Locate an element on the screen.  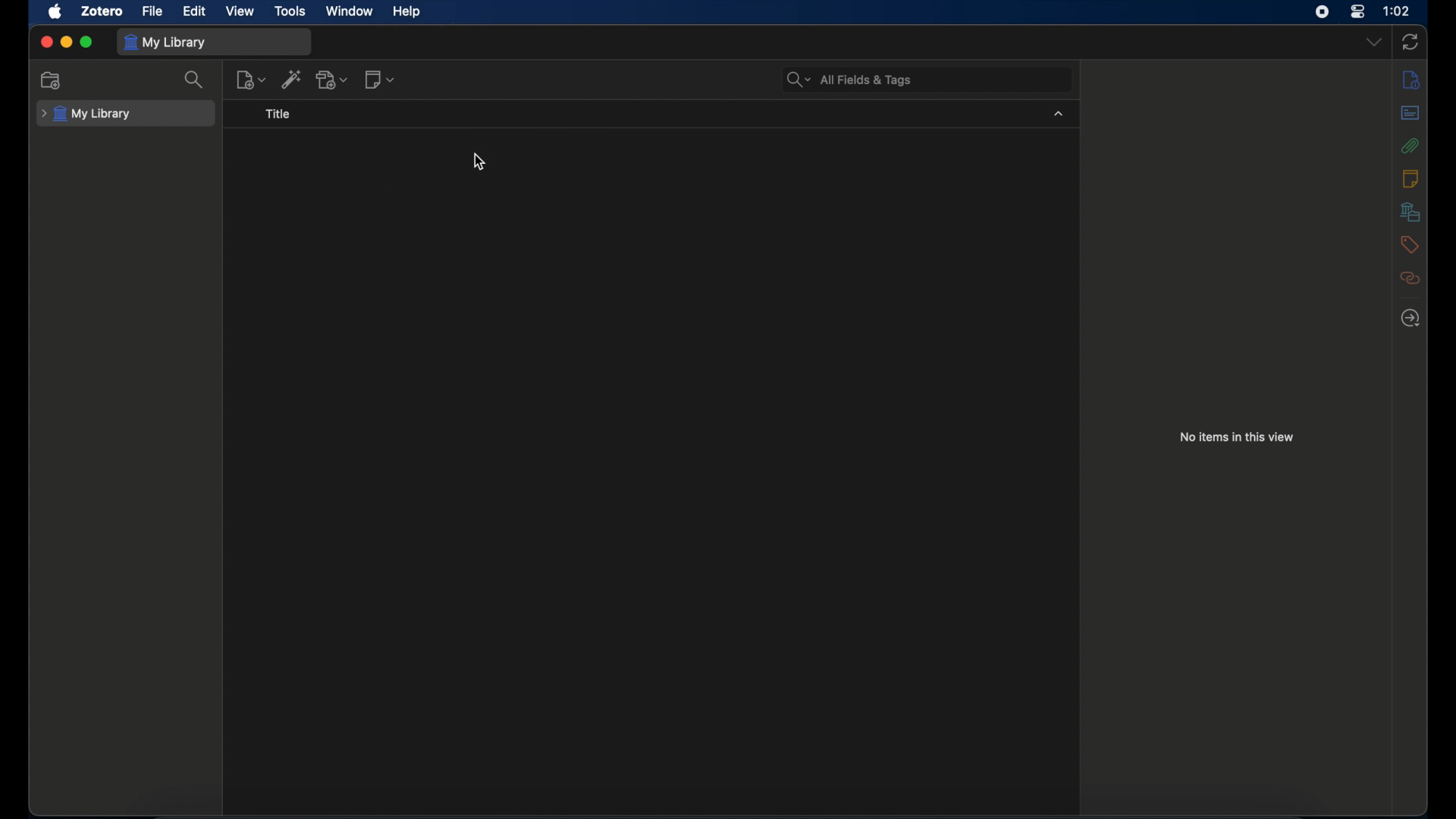
close is located at coordinates (46, 42).